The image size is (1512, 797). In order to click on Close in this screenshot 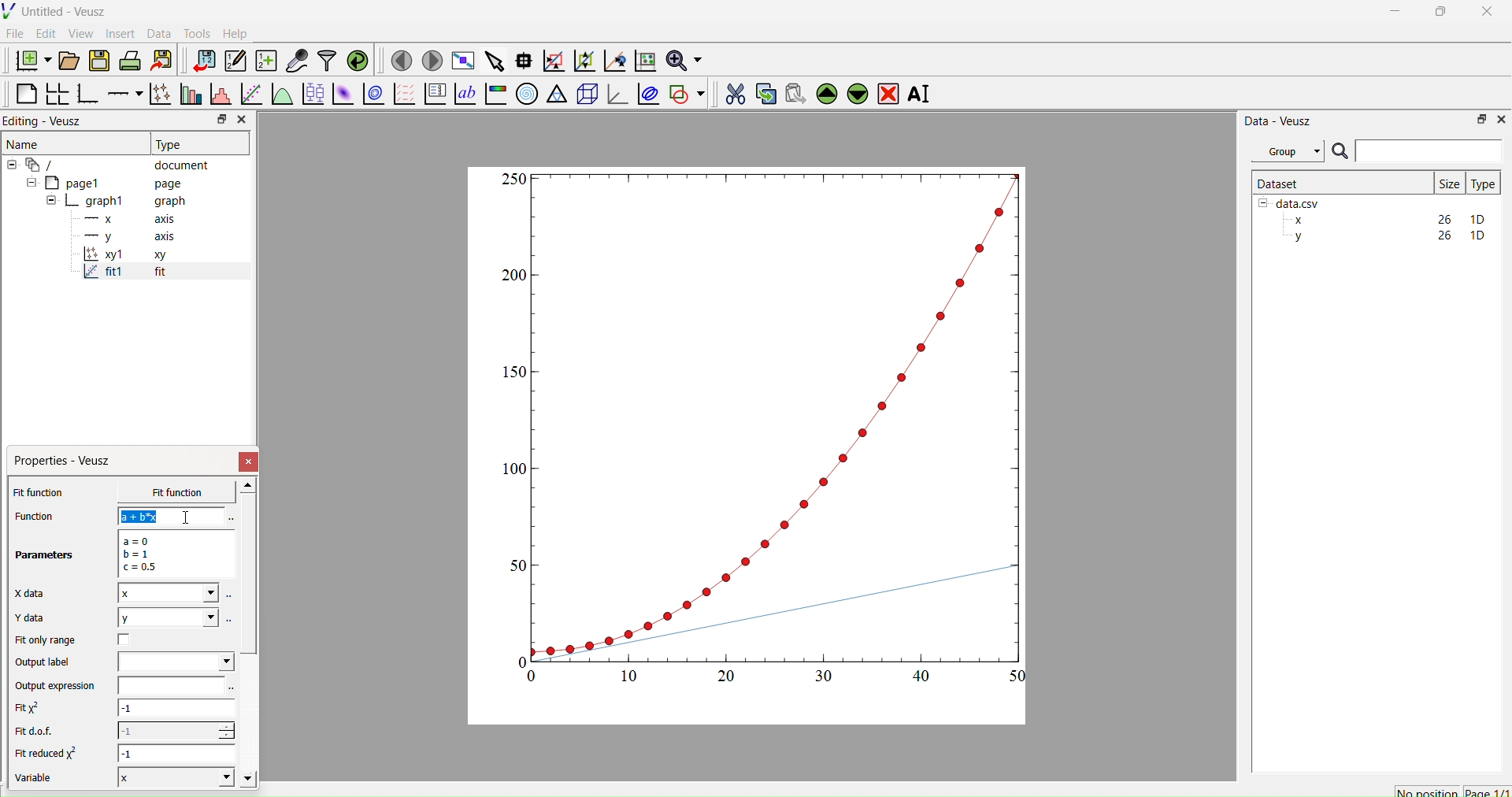, I will do `click(1488, 16)`.